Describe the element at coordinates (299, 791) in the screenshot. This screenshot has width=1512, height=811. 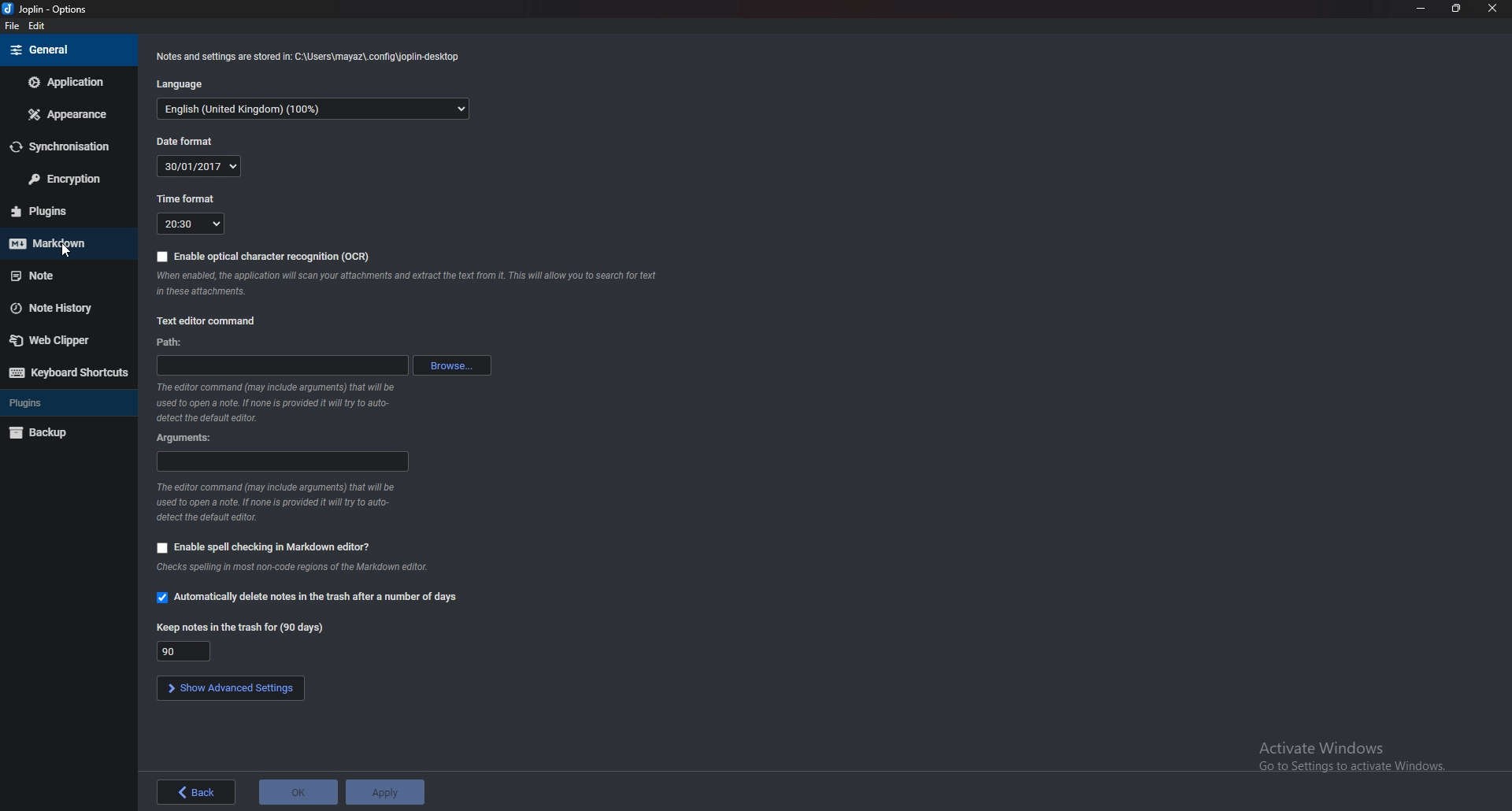
I see `ok` at that location.